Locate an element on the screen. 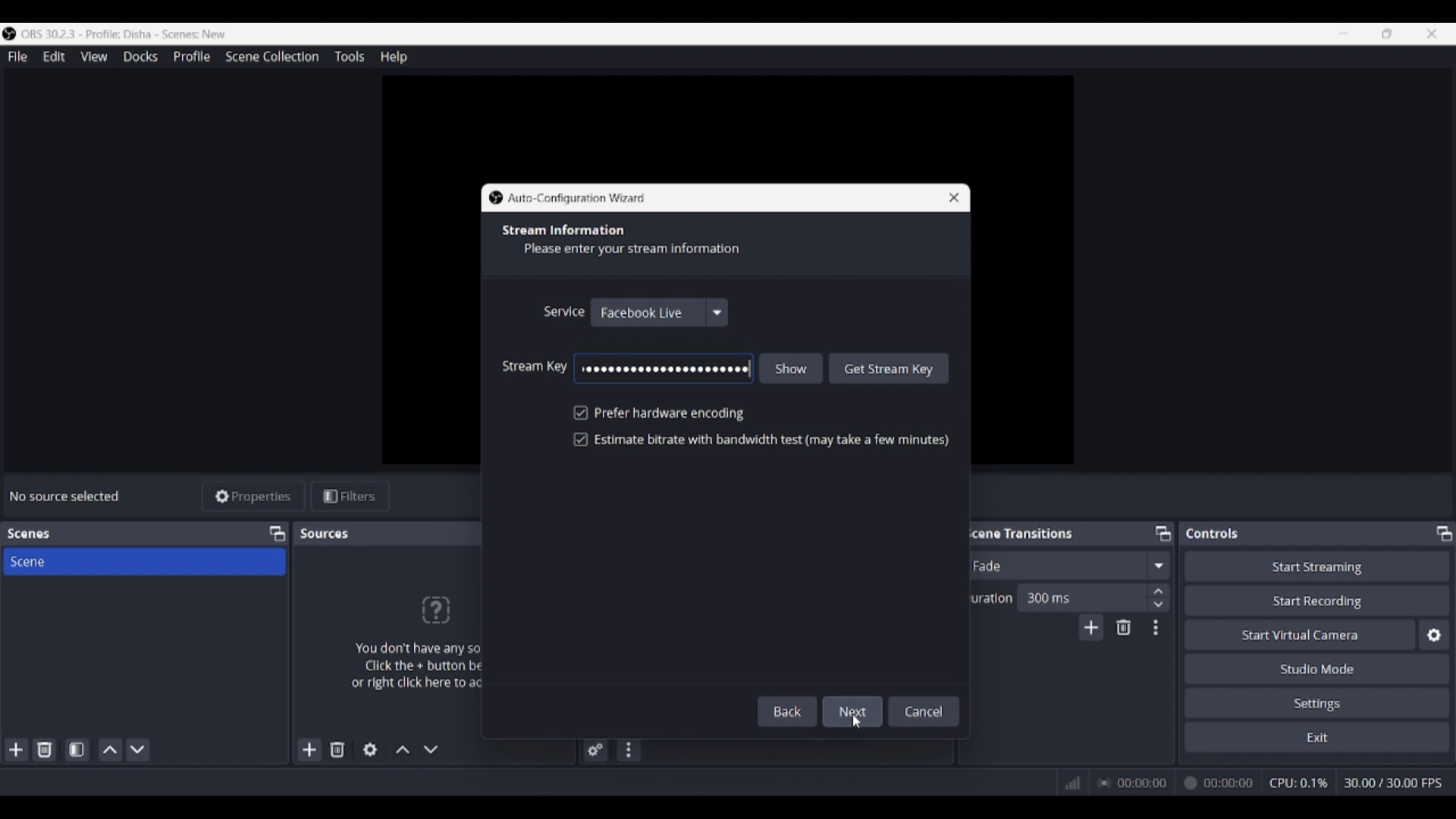 The height and width of the screenshot is (819, 1456). Cancel is located at coordinates (924, 710).